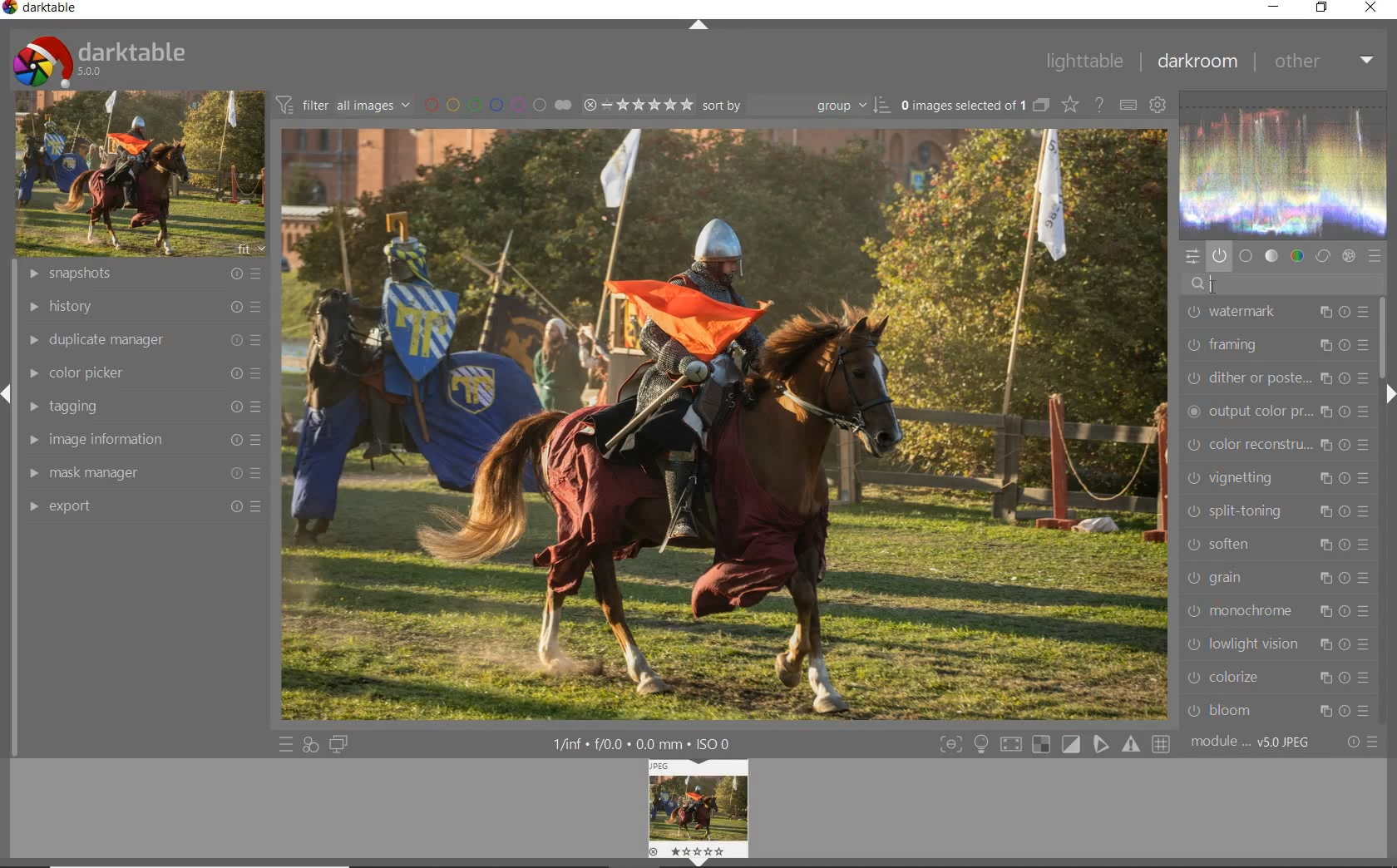 Image resolution: width=1397 pixels, height=868 pixels. I want to click on color, so click(1298, 254).